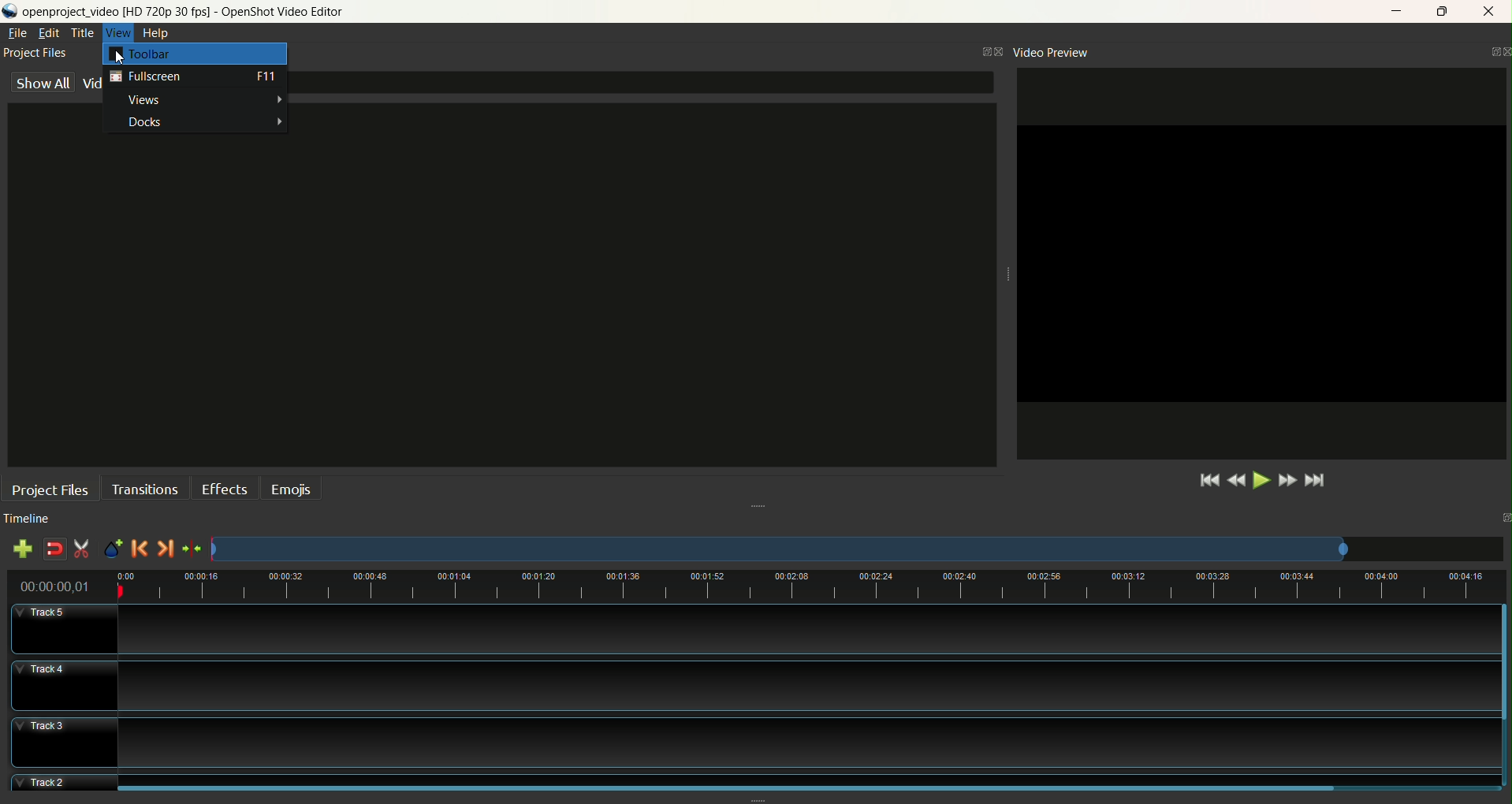  What do you see at coordinates (809, 587) in the screenshot?
I see `timeline` at bounding box center [809, 587].